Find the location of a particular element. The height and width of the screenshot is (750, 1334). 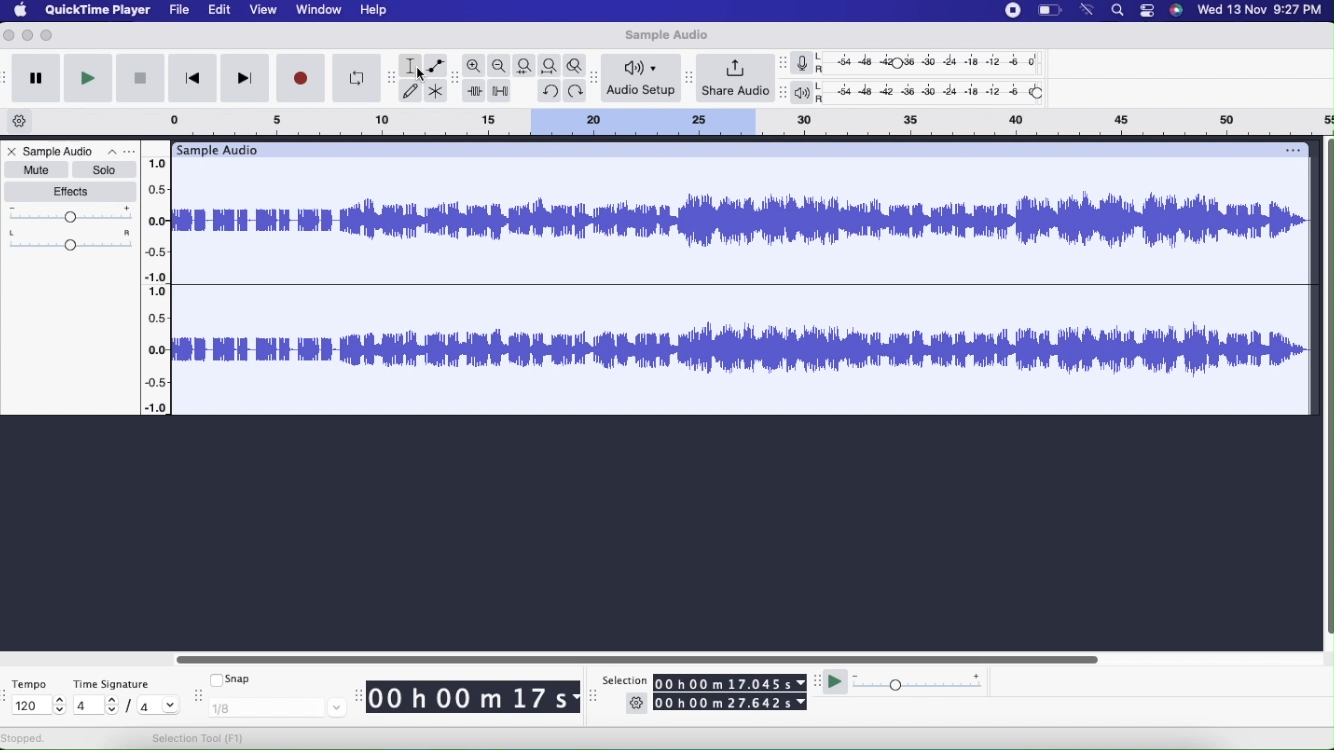

Selection Tool is located at coordinates (200, 738).